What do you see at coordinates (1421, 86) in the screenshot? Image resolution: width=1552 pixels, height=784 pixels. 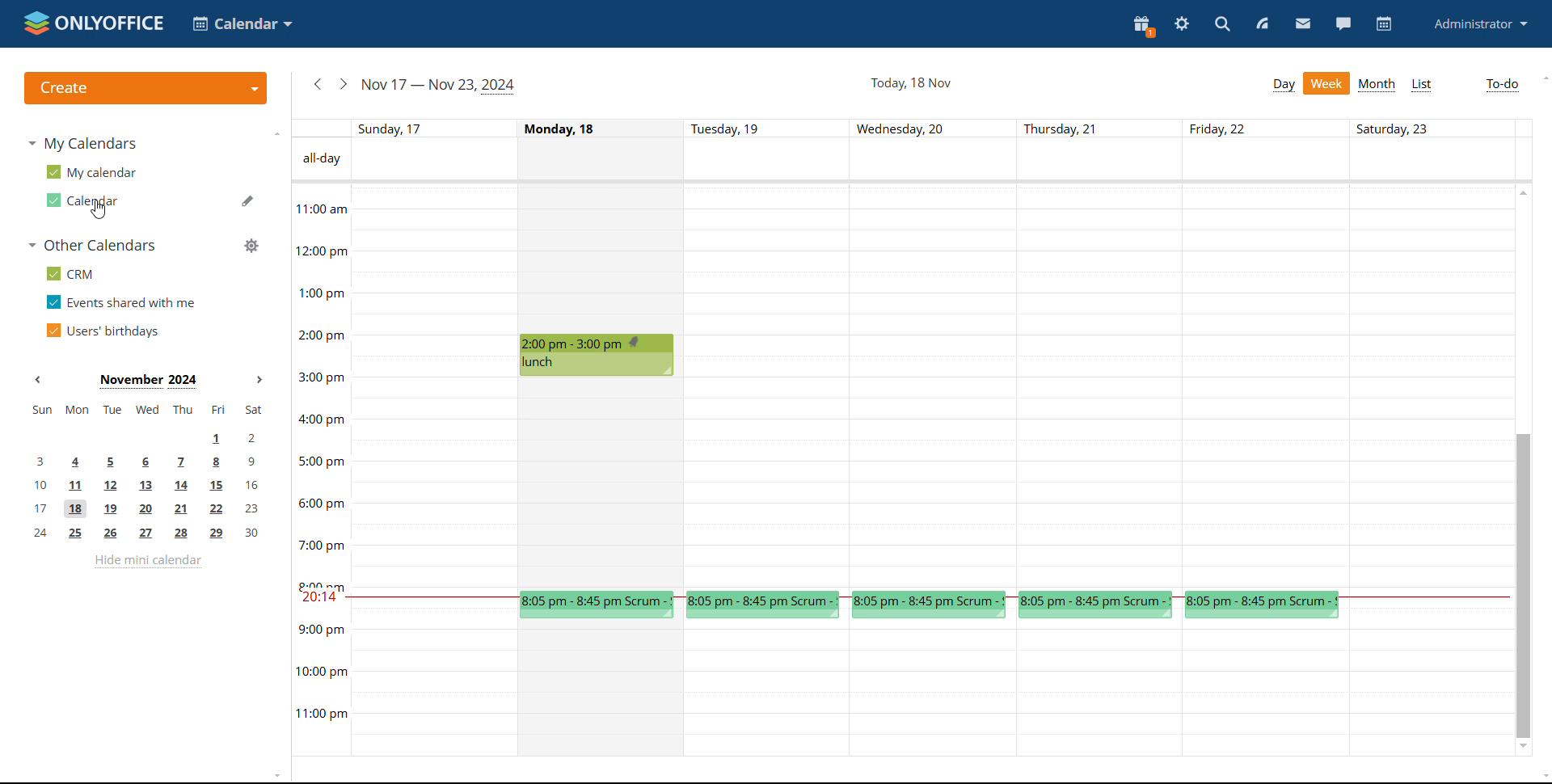 I see `list view` at bounding box center [1421, 86].